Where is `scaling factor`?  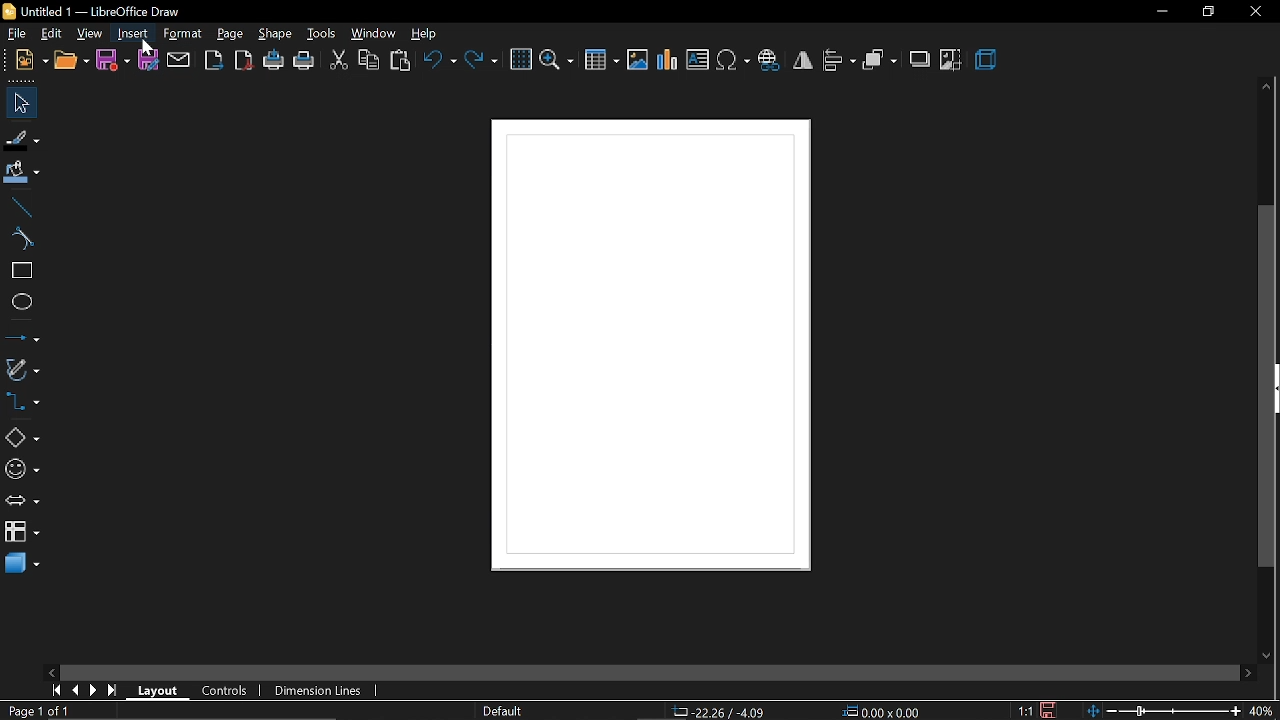
scaling factor is located at coordinates (1025, 712).